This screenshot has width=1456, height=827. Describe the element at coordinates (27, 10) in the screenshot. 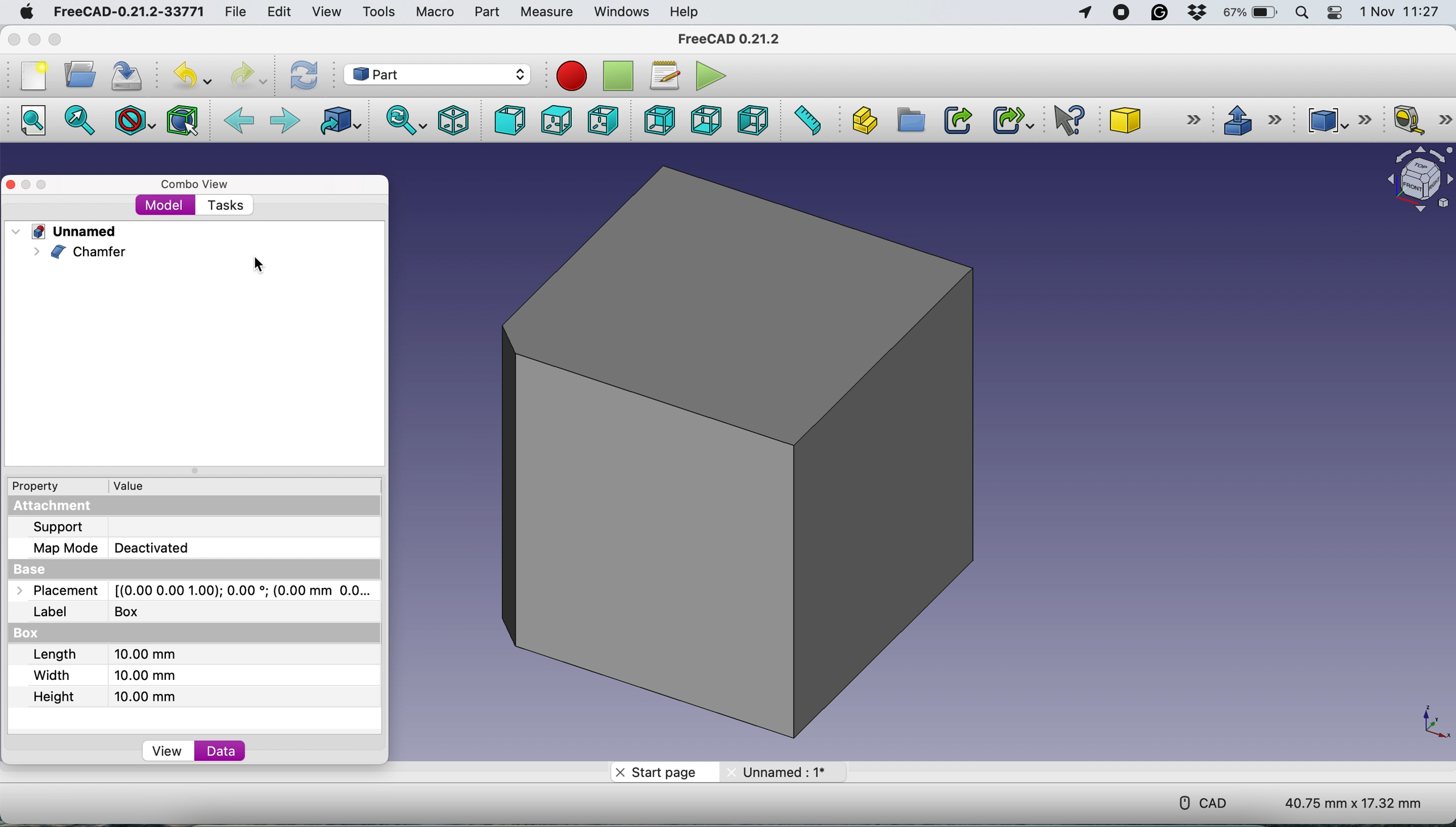

I see `system logo` at that location.